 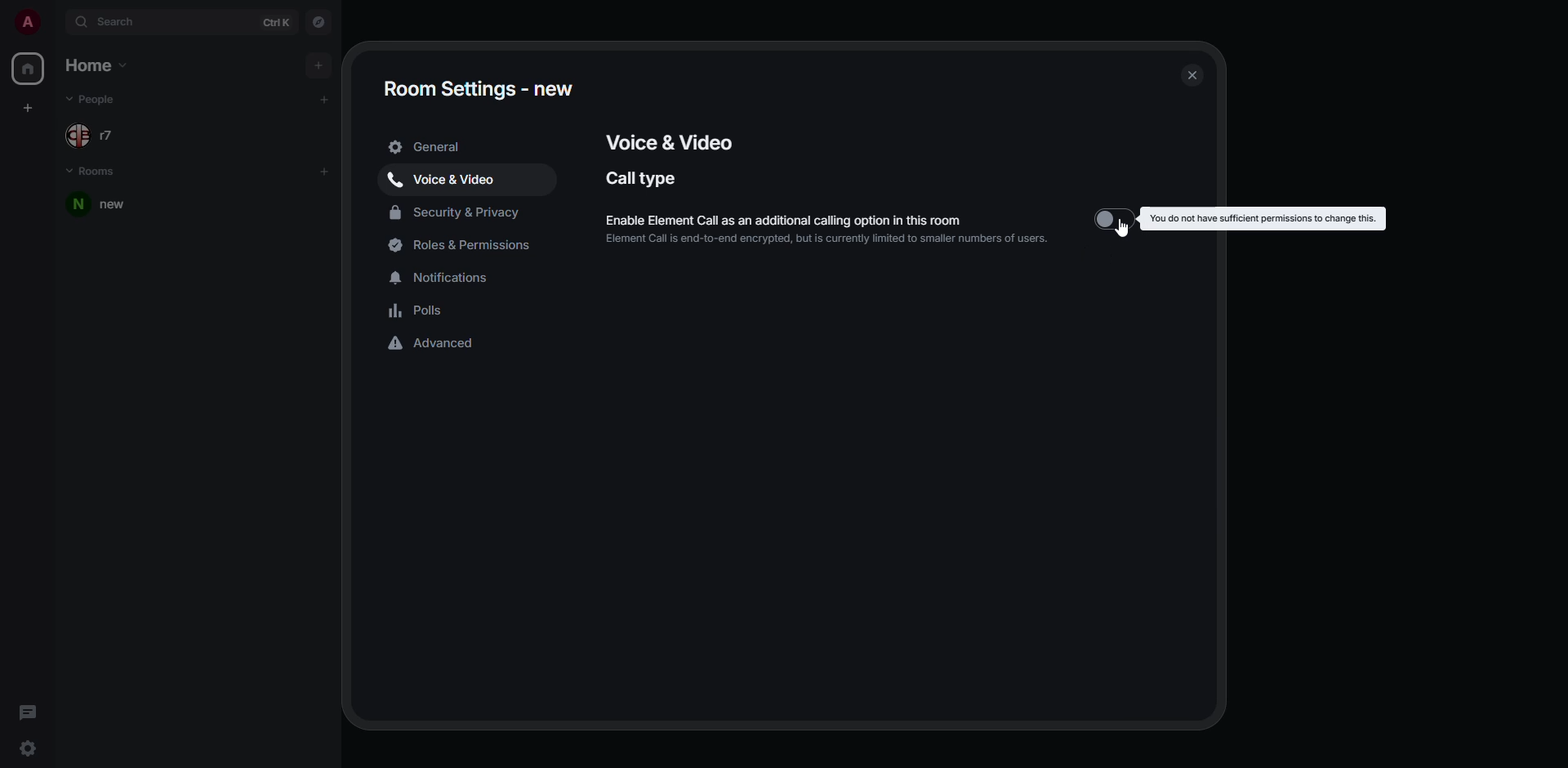 What do you see at coordinates (665, 141) in the screenshot?
I see `voice & video` at bounding box center [665, 141].